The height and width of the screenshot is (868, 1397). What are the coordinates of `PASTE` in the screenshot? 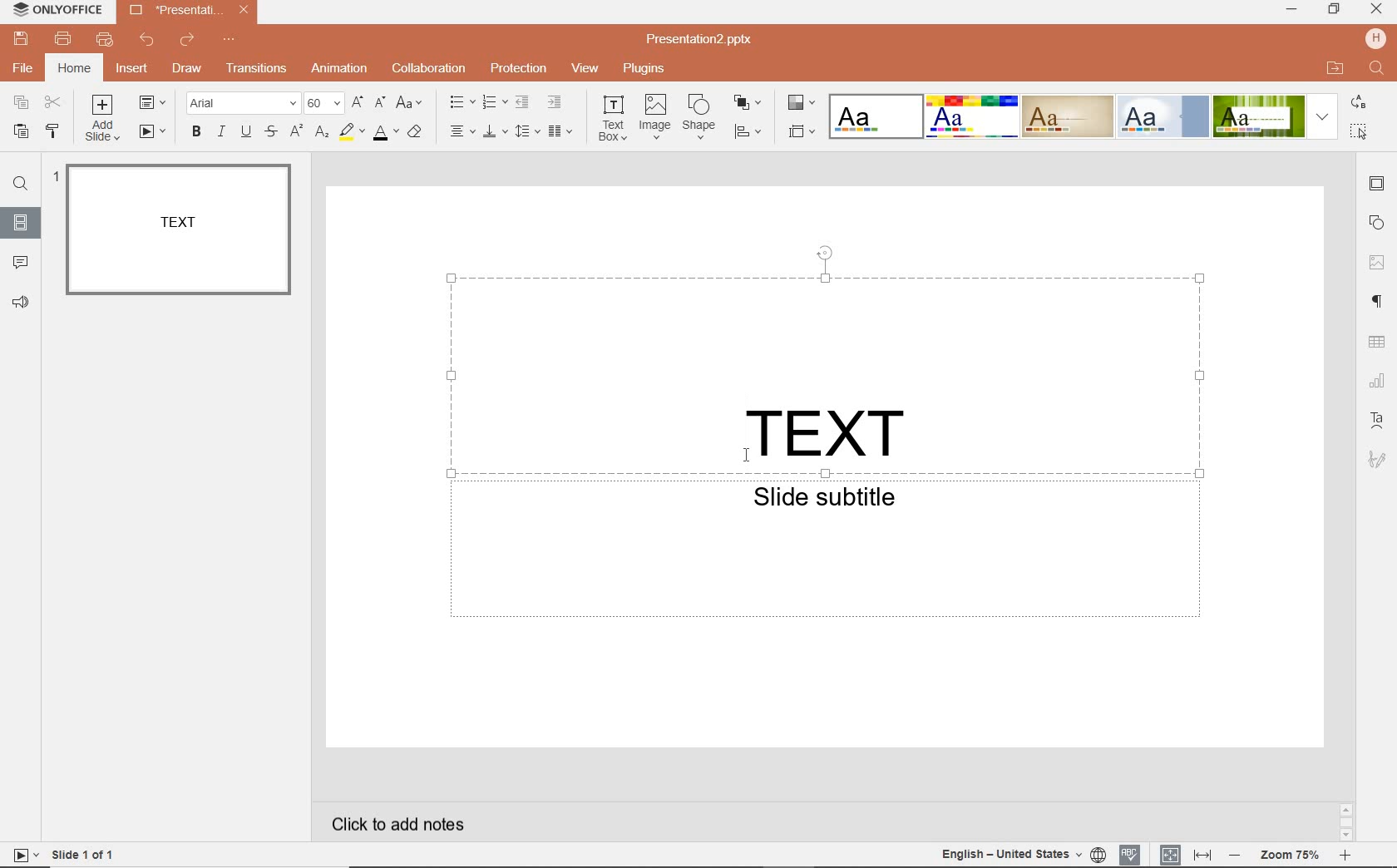 It's located at (17, 132).